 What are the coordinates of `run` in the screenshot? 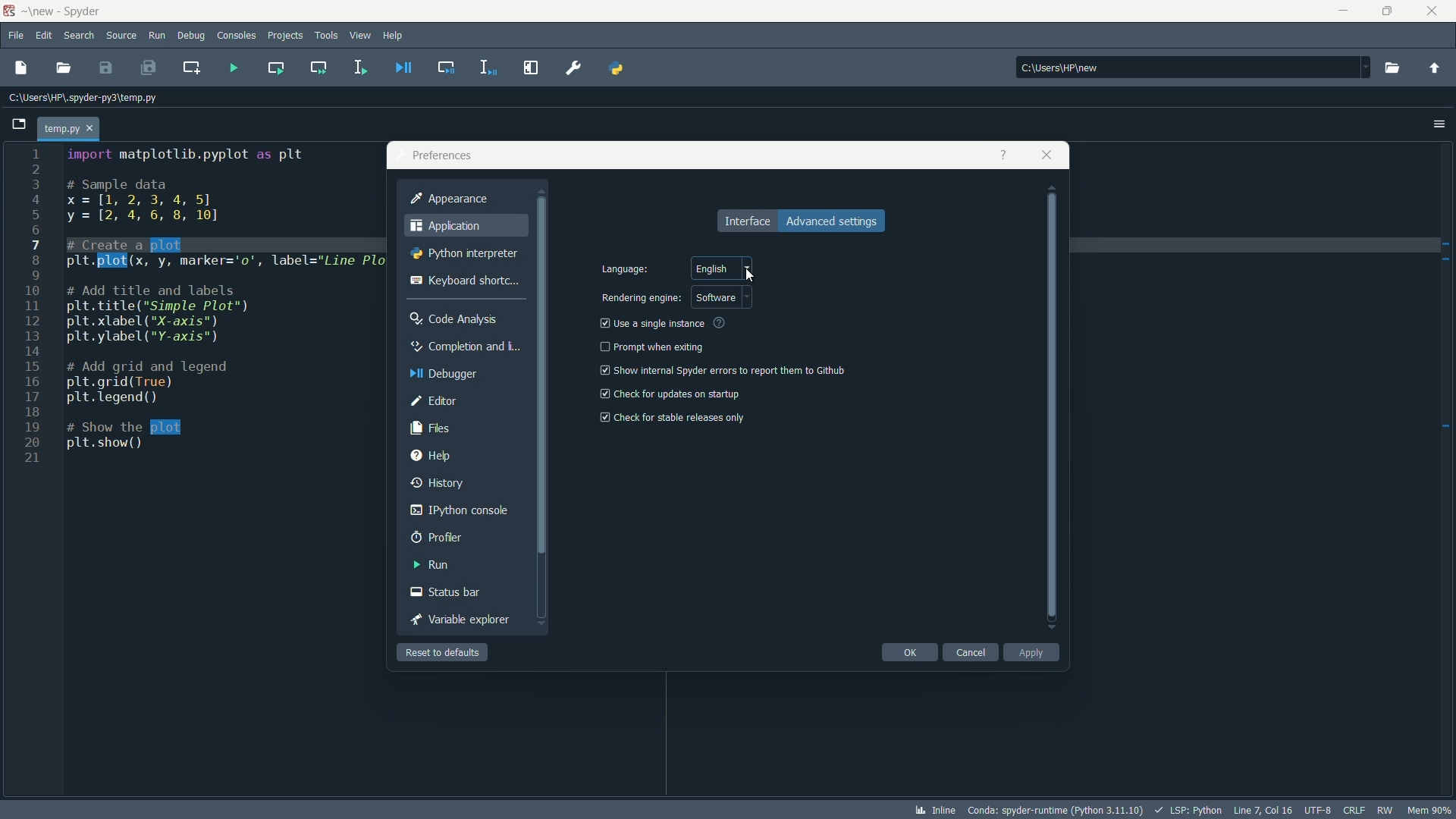 It's located at (430, 564).